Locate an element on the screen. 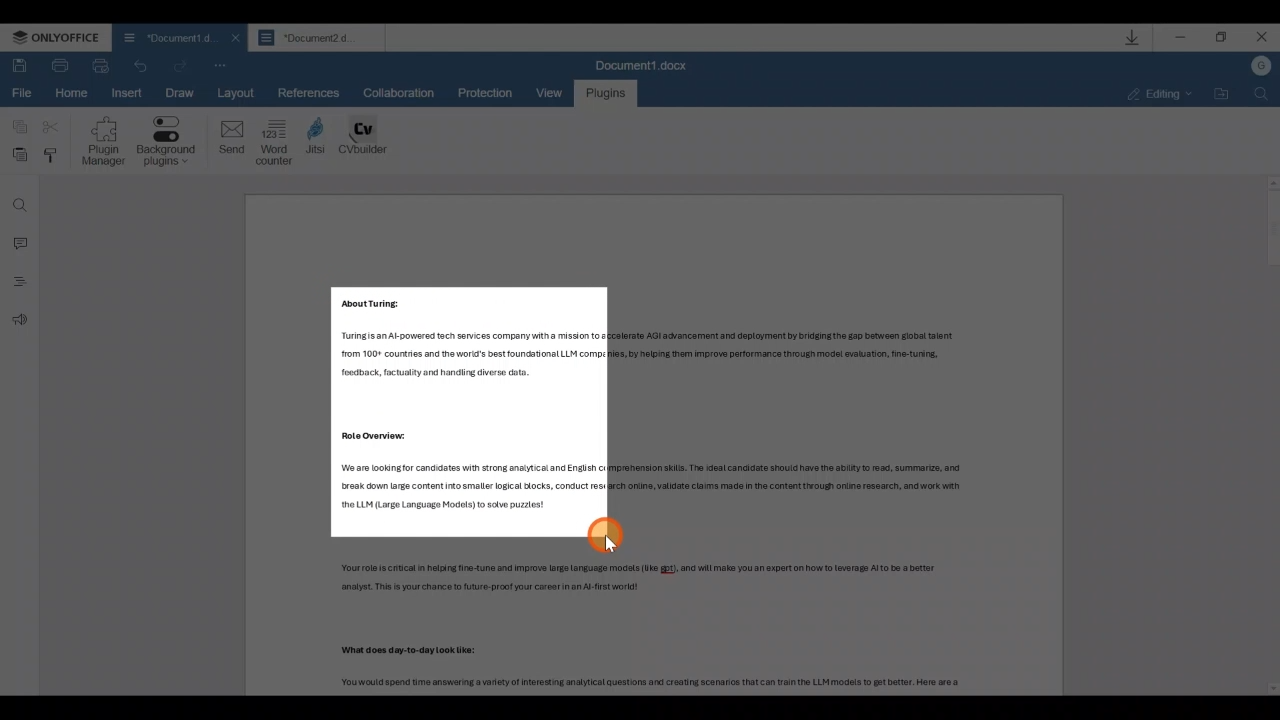  Customize quick access toolbar is located at coordinates (221, 66).